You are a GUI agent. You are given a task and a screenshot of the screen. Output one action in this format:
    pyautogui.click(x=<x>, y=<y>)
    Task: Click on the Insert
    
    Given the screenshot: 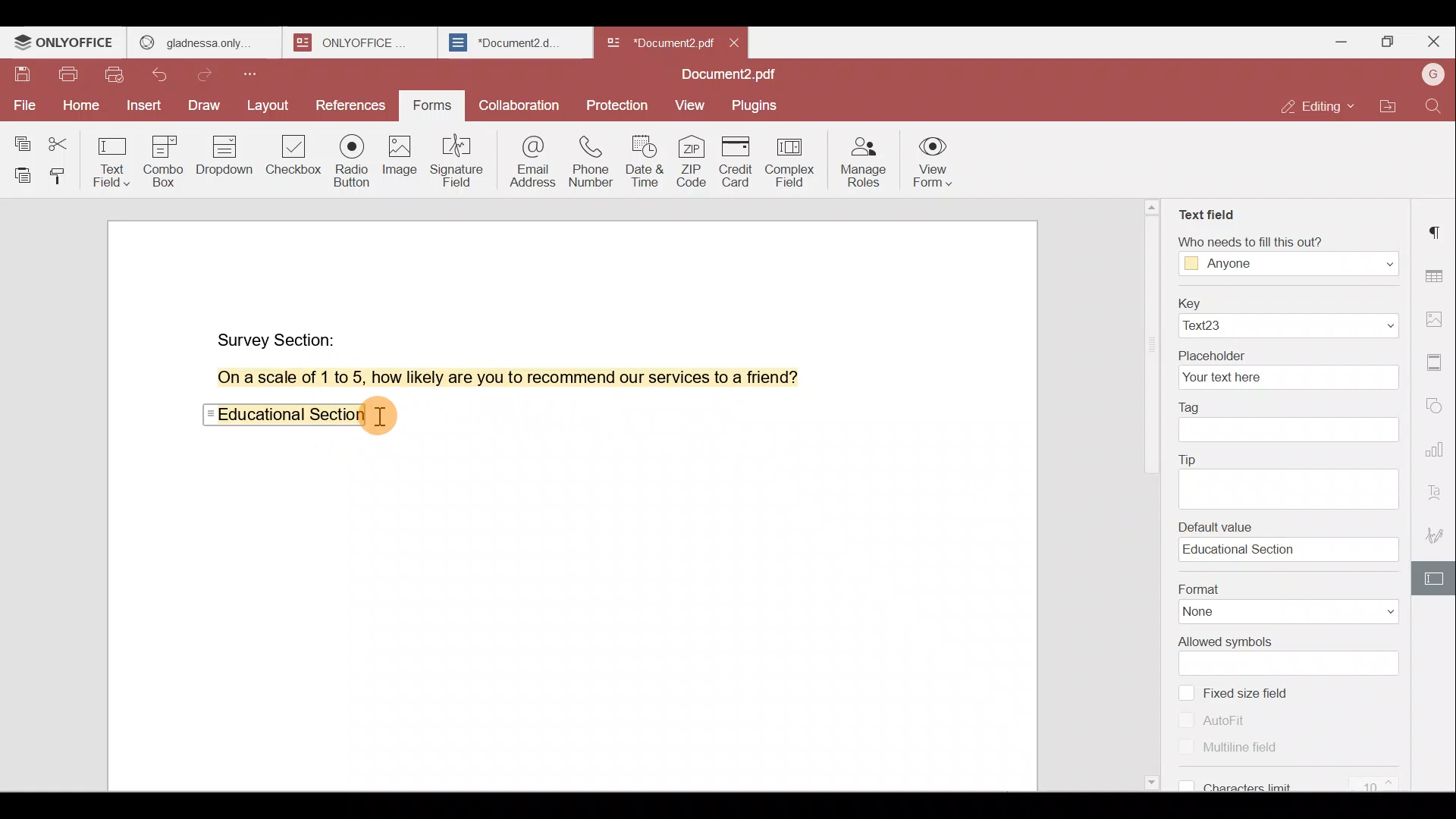 What is the action you would take?
    pyautogui.click(x=144, y=107)
    